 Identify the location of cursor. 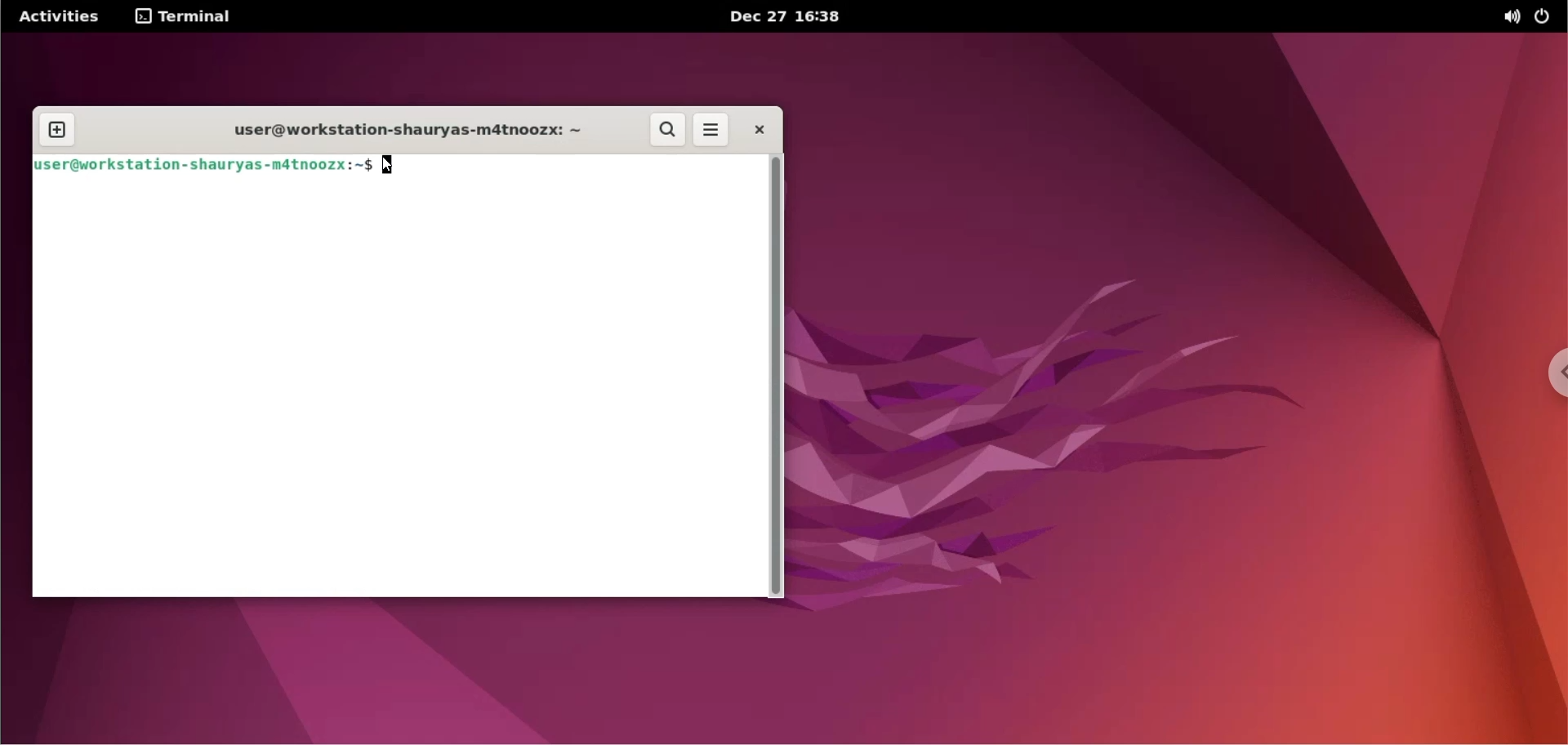
(396, 167).